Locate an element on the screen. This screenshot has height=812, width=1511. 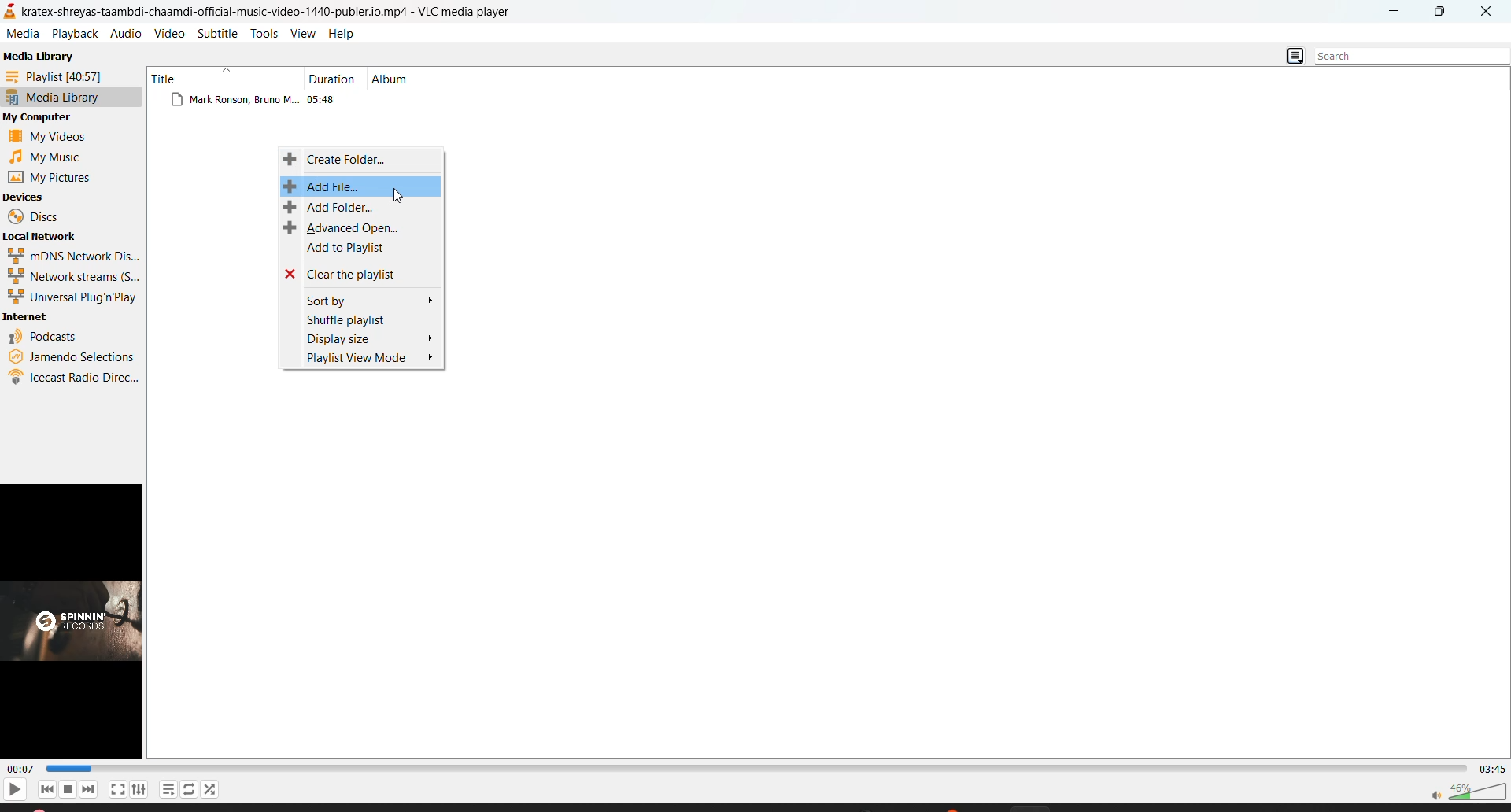
maximize is located at coordinates (1445, 13).